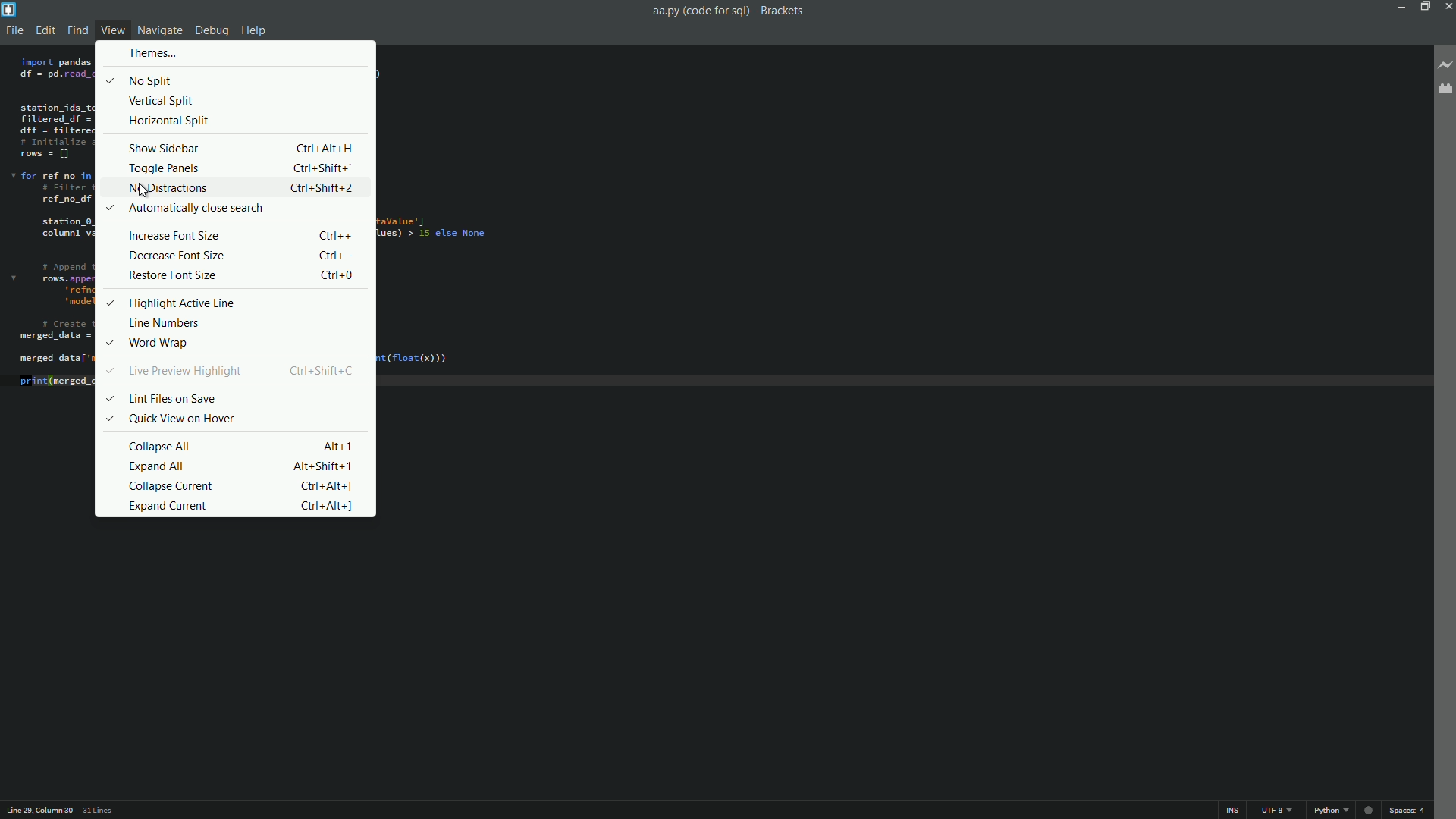 Image resolution: width=1456 pixels, height=819 pixels. Describe the element at coordinates (1445, 63) in the screenshot. I see `live preview` at that location.